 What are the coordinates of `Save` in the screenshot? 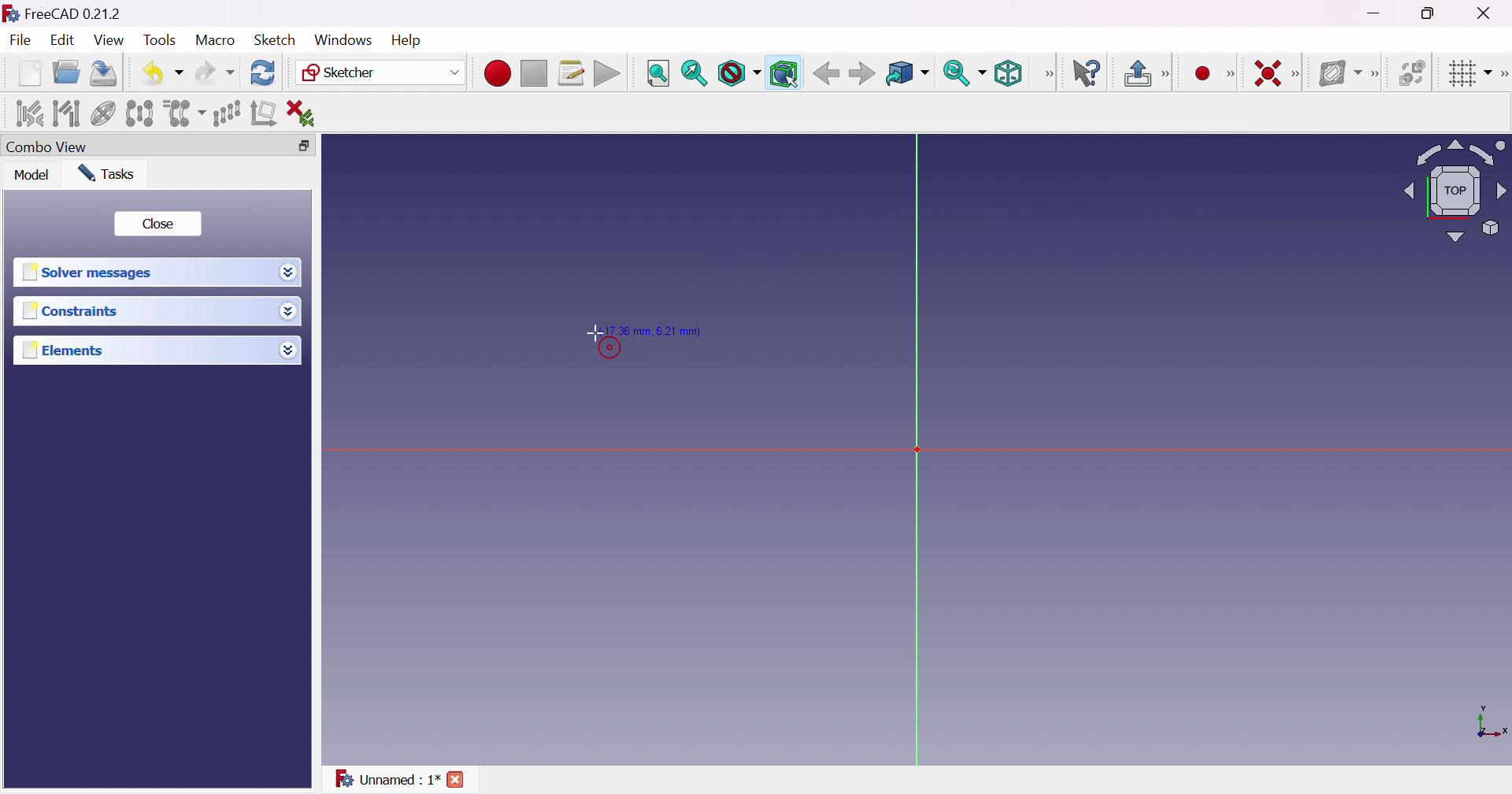 It's located at (102, 72).